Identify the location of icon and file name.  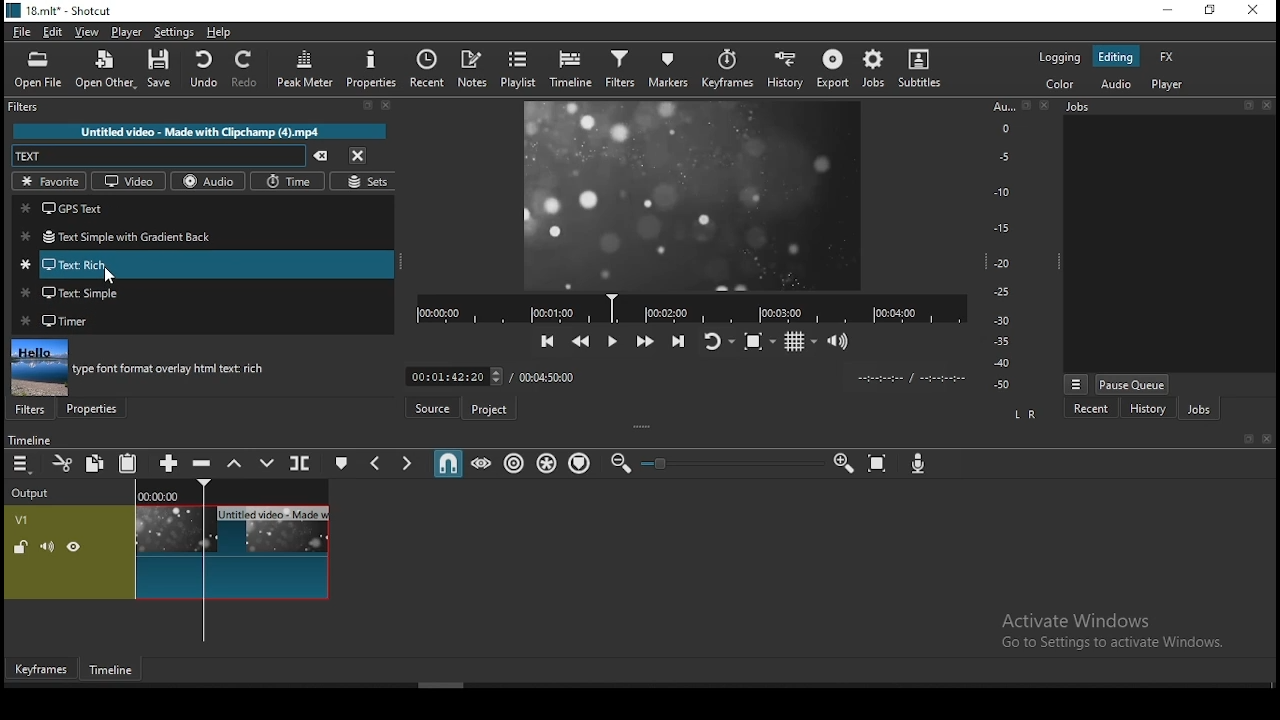
(58, 11).